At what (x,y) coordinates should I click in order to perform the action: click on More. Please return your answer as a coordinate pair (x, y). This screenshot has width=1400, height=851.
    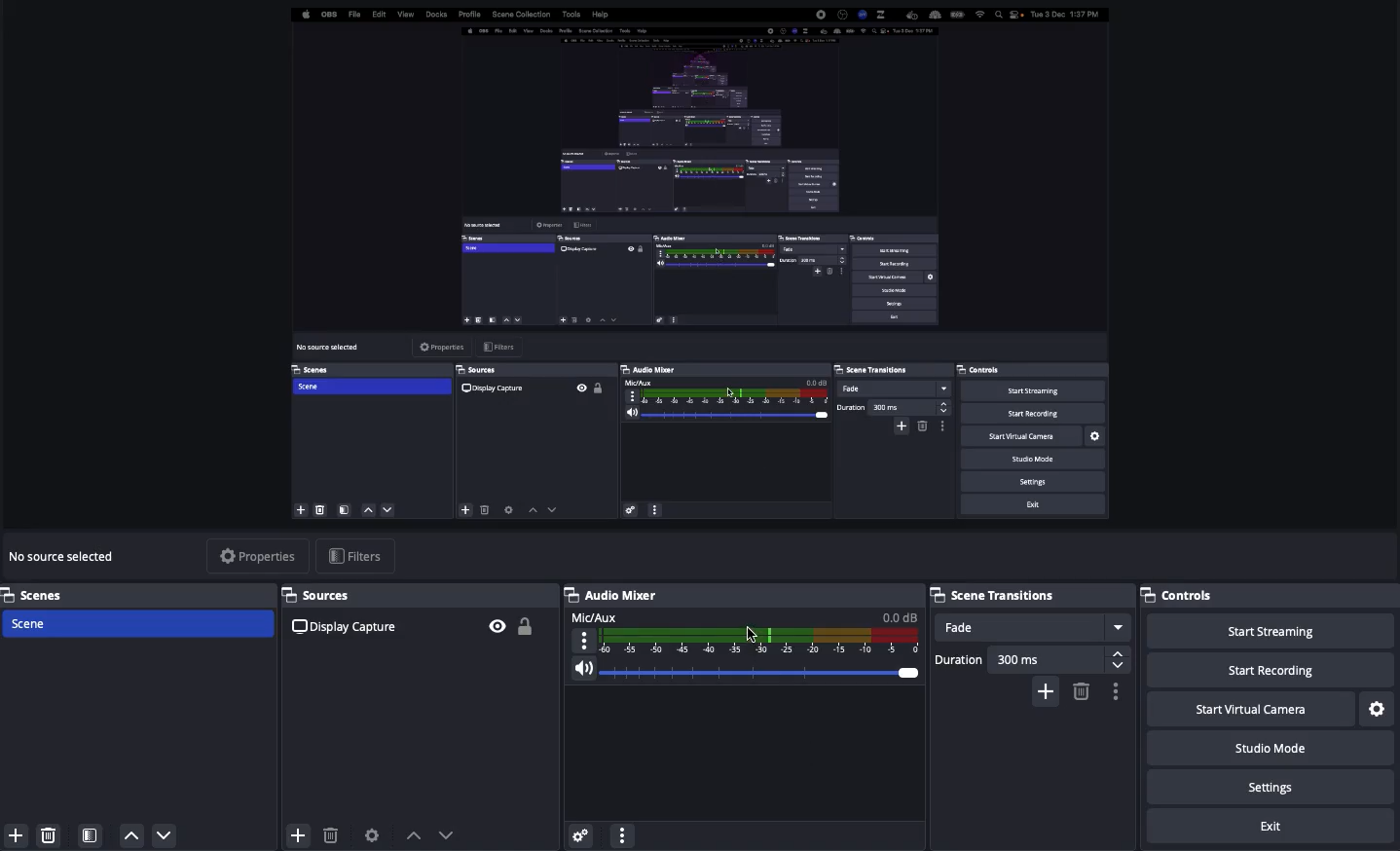
    Looking at the image, I should click on (621, 833).